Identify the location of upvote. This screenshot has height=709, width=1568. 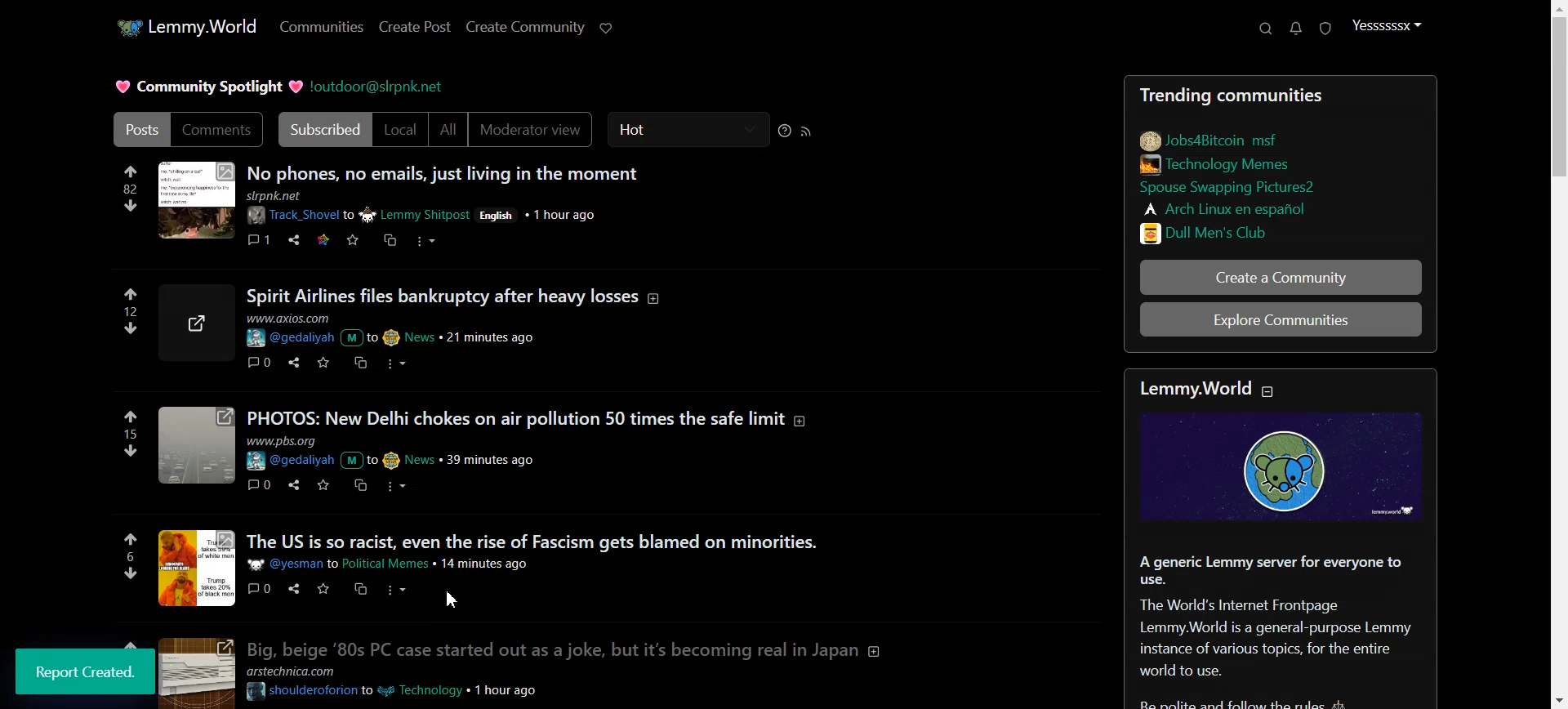
(131, 295).